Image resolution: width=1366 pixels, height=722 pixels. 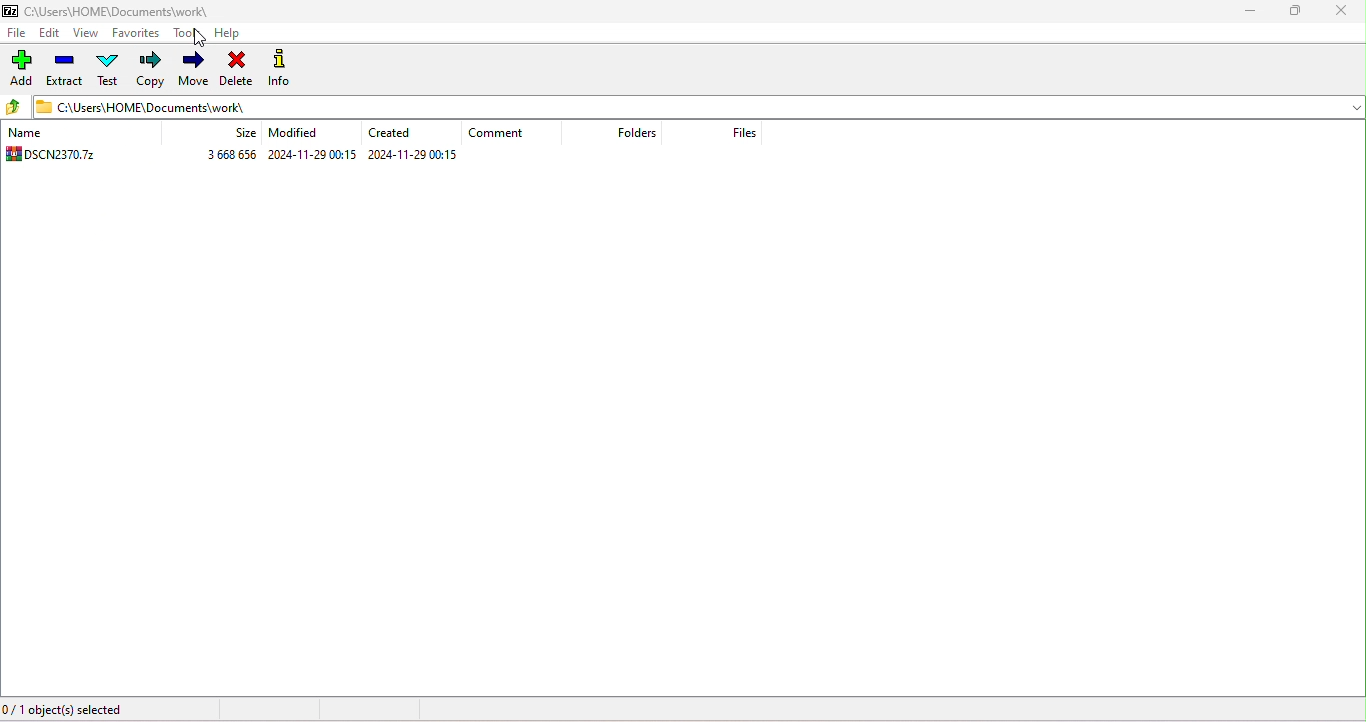 I want to click on modified, so click(x=305, y=133).